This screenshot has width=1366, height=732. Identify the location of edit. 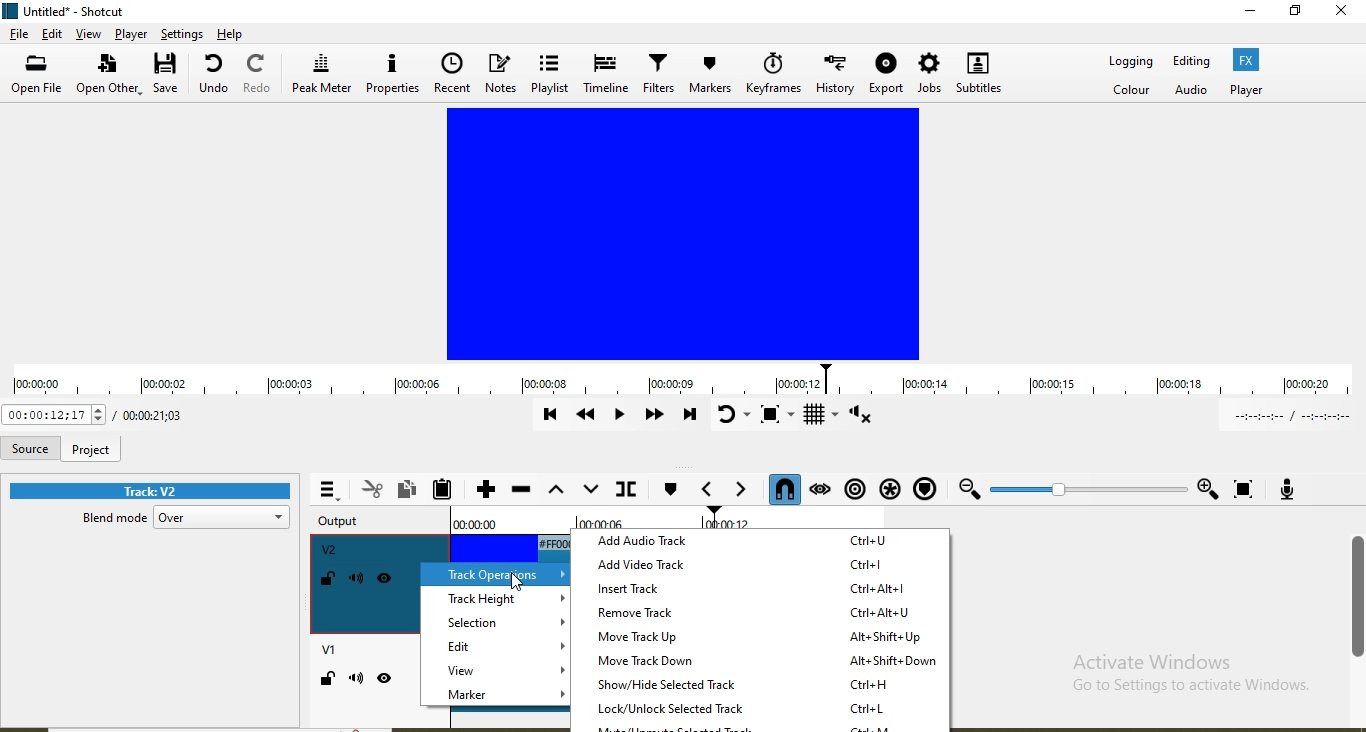
(51, 34).